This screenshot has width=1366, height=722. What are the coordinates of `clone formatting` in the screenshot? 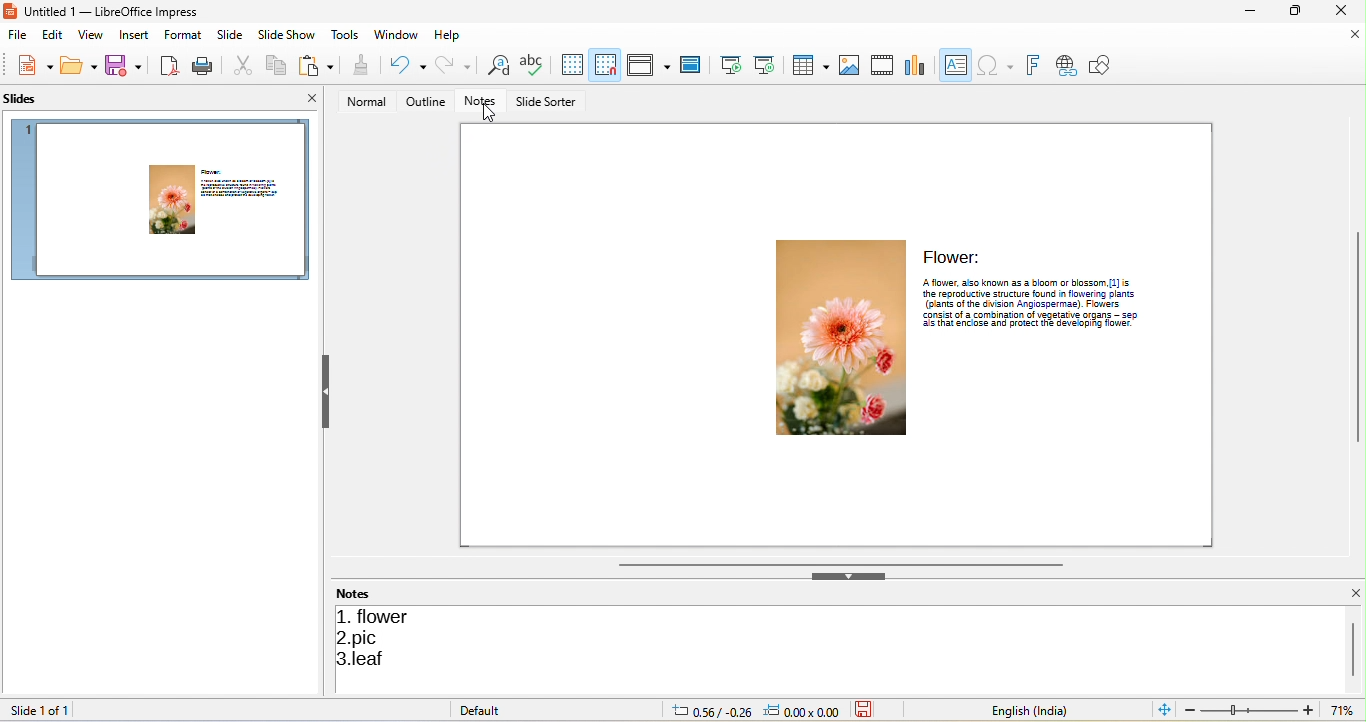 It's located at (359, 65).